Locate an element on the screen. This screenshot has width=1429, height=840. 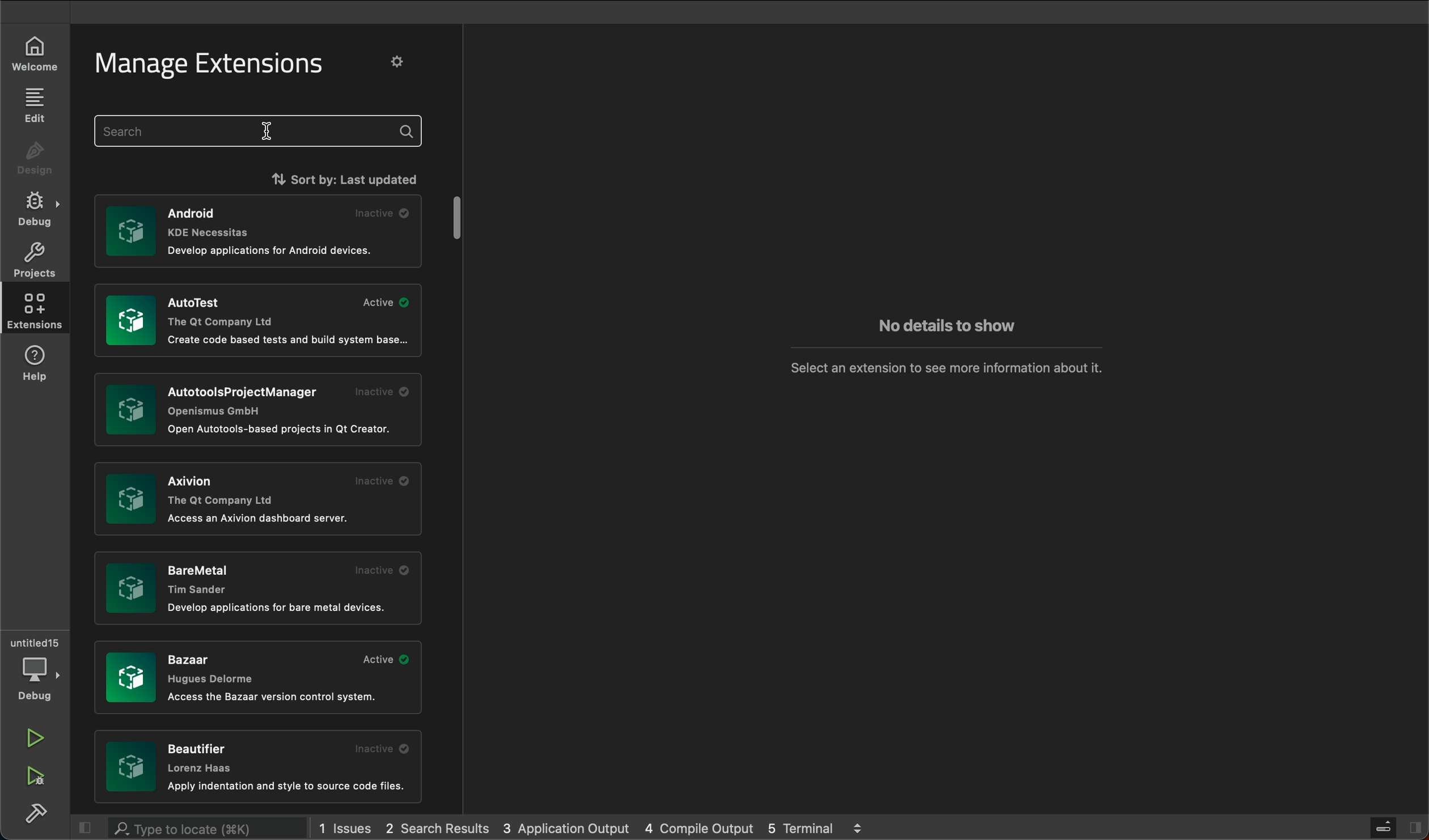
active is located at coordinates (388, 659).